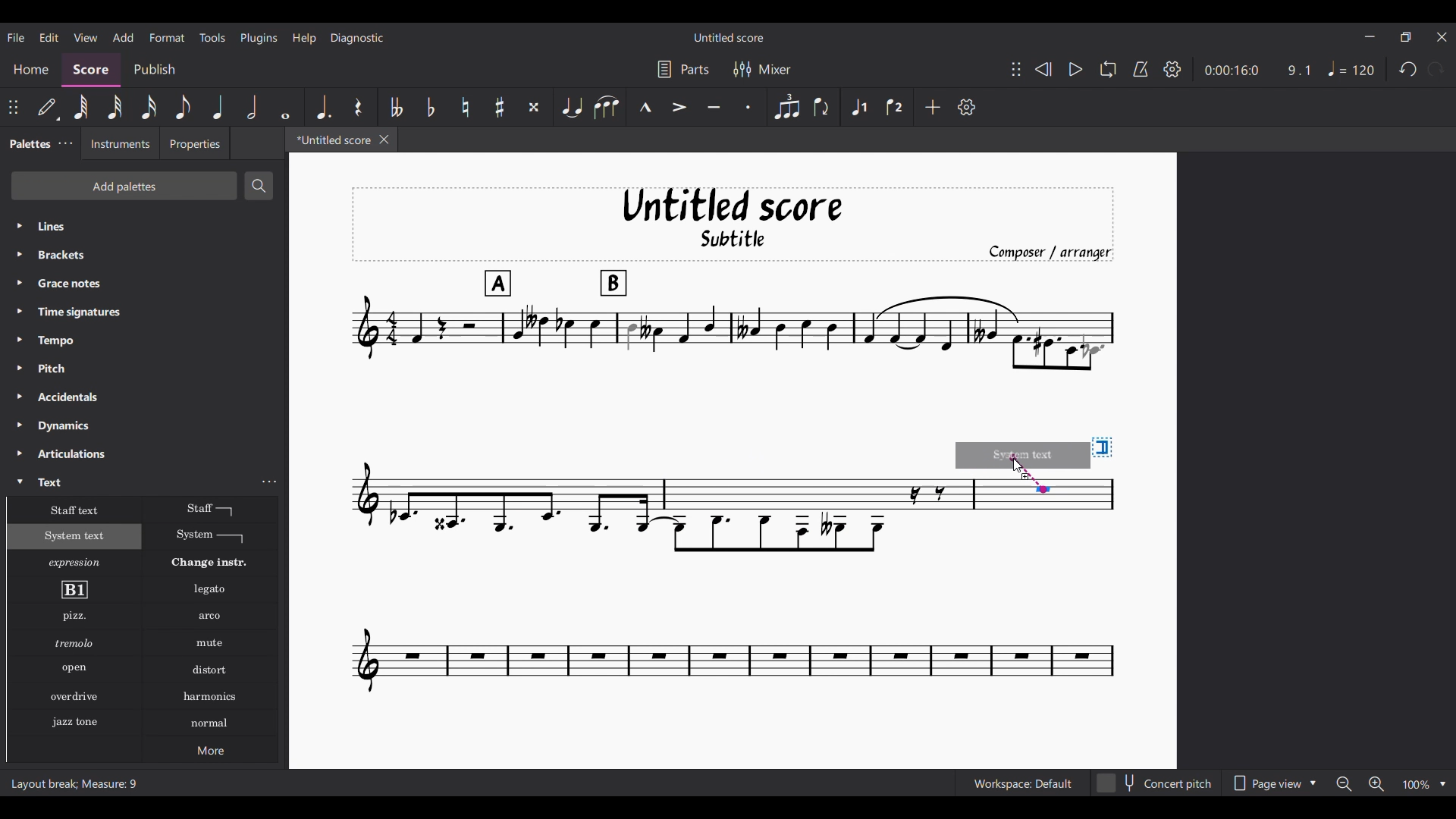 The height and width of the screenshot is (819, 1456). I want to click on Distort, so click(210, 670).